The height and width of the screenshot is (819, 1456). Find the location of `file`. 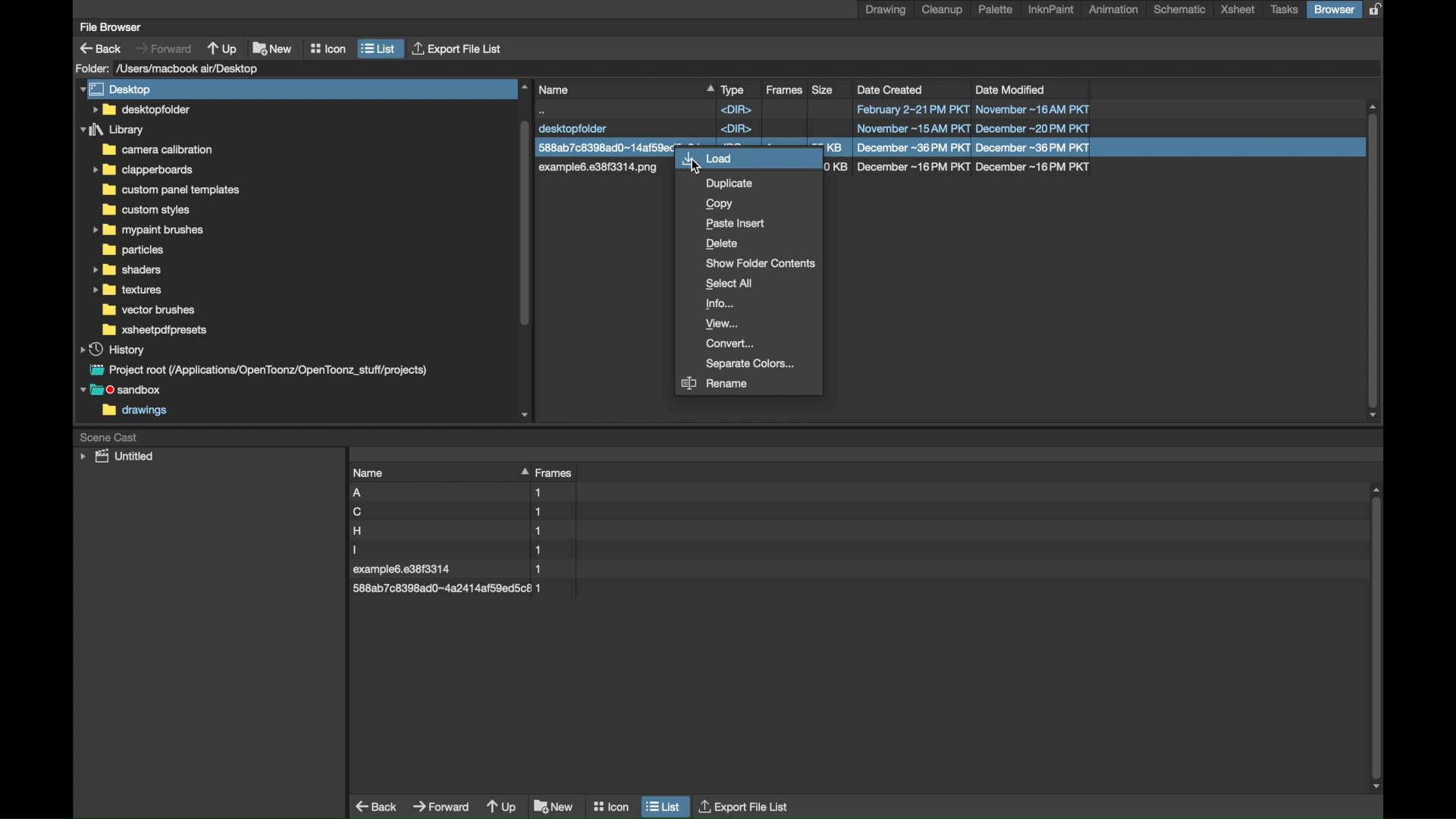

file is located at coordinates (603, 146).